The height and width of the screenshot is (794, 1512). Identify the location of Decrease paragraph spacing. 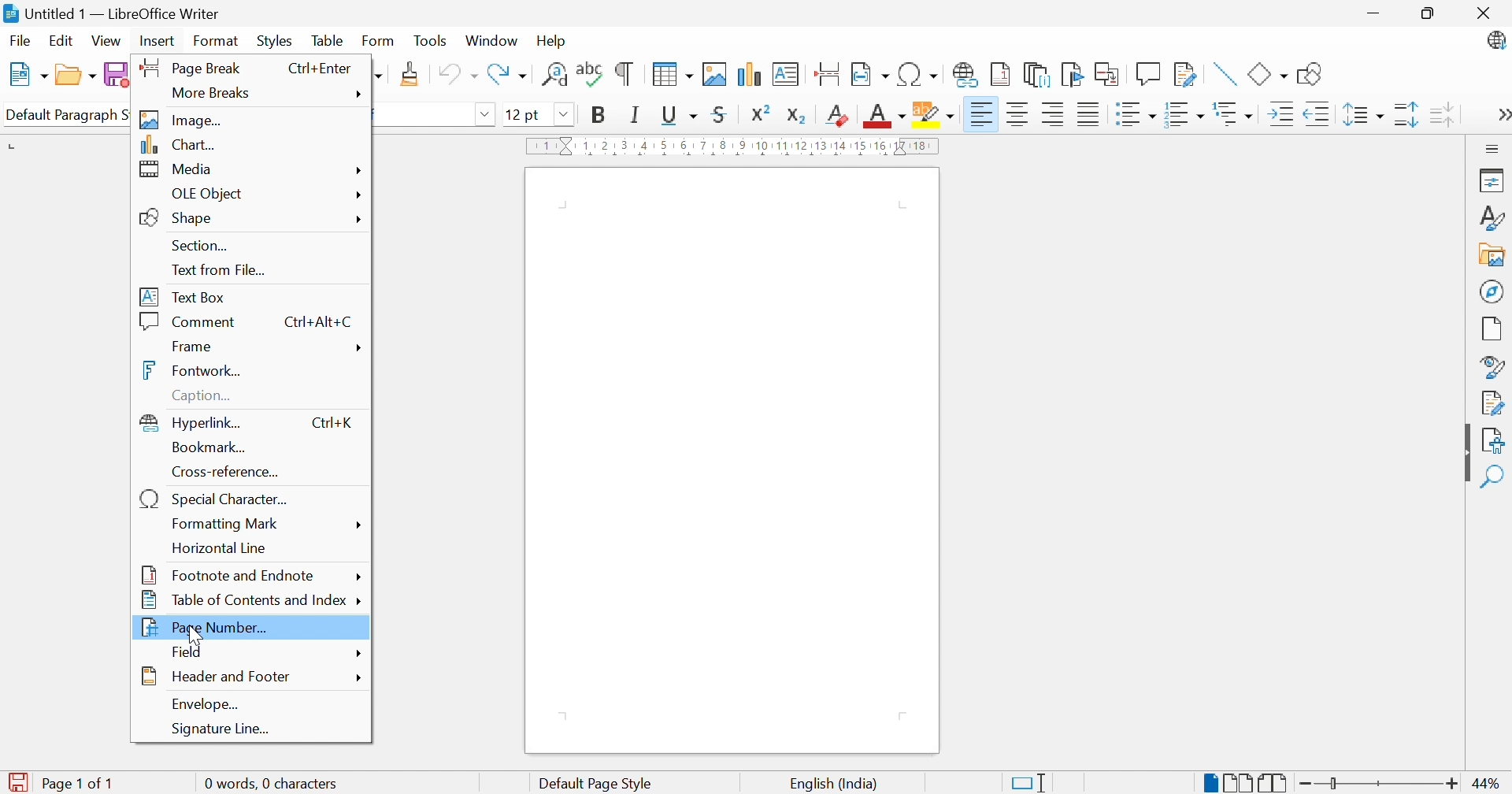
(1441, 113).